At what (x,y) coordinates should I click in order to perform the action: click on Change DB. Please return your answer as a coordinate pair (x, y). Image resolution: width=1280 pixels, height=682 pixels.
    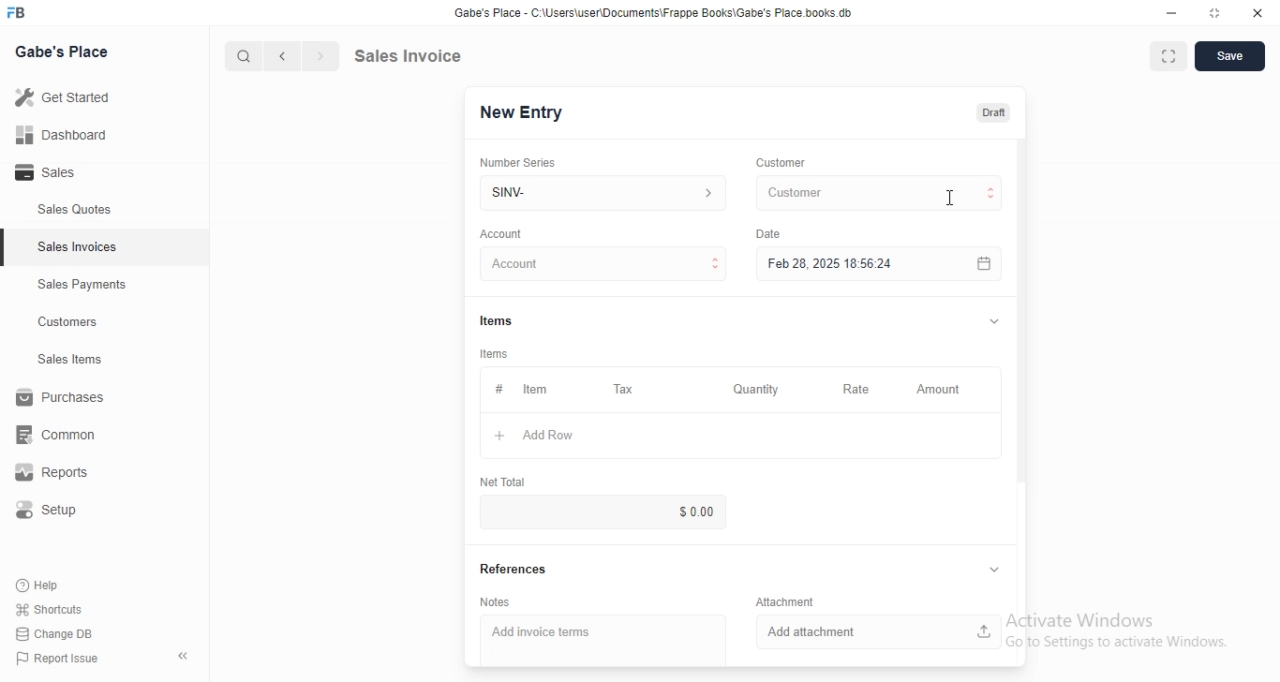
    Looking at the image, I should click on (58, 635).